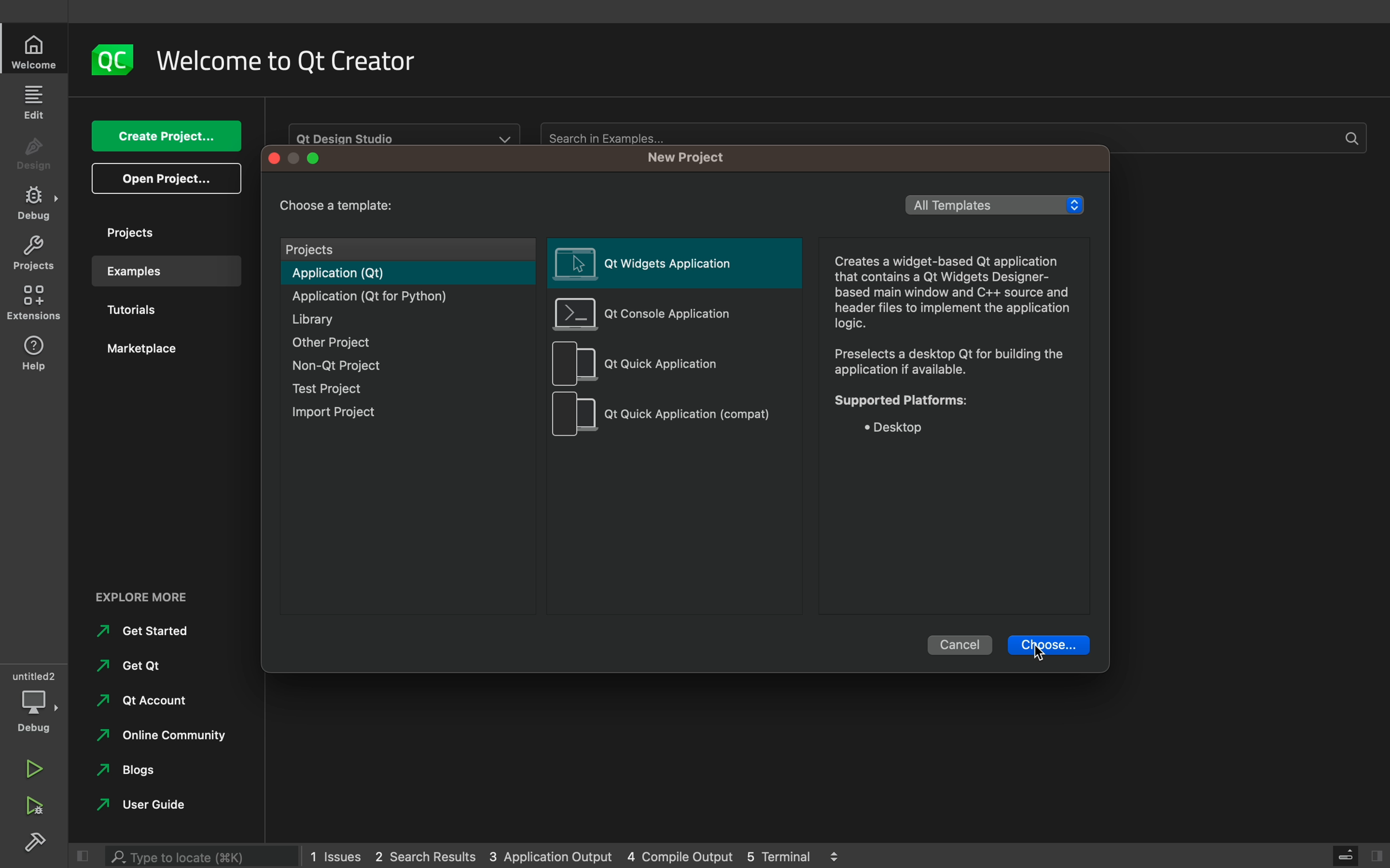 The width and height of the screenshot is (1390, 868). Describe the element at coordinates (204, 855) in the screenshot. I see `searchbar` at that location.